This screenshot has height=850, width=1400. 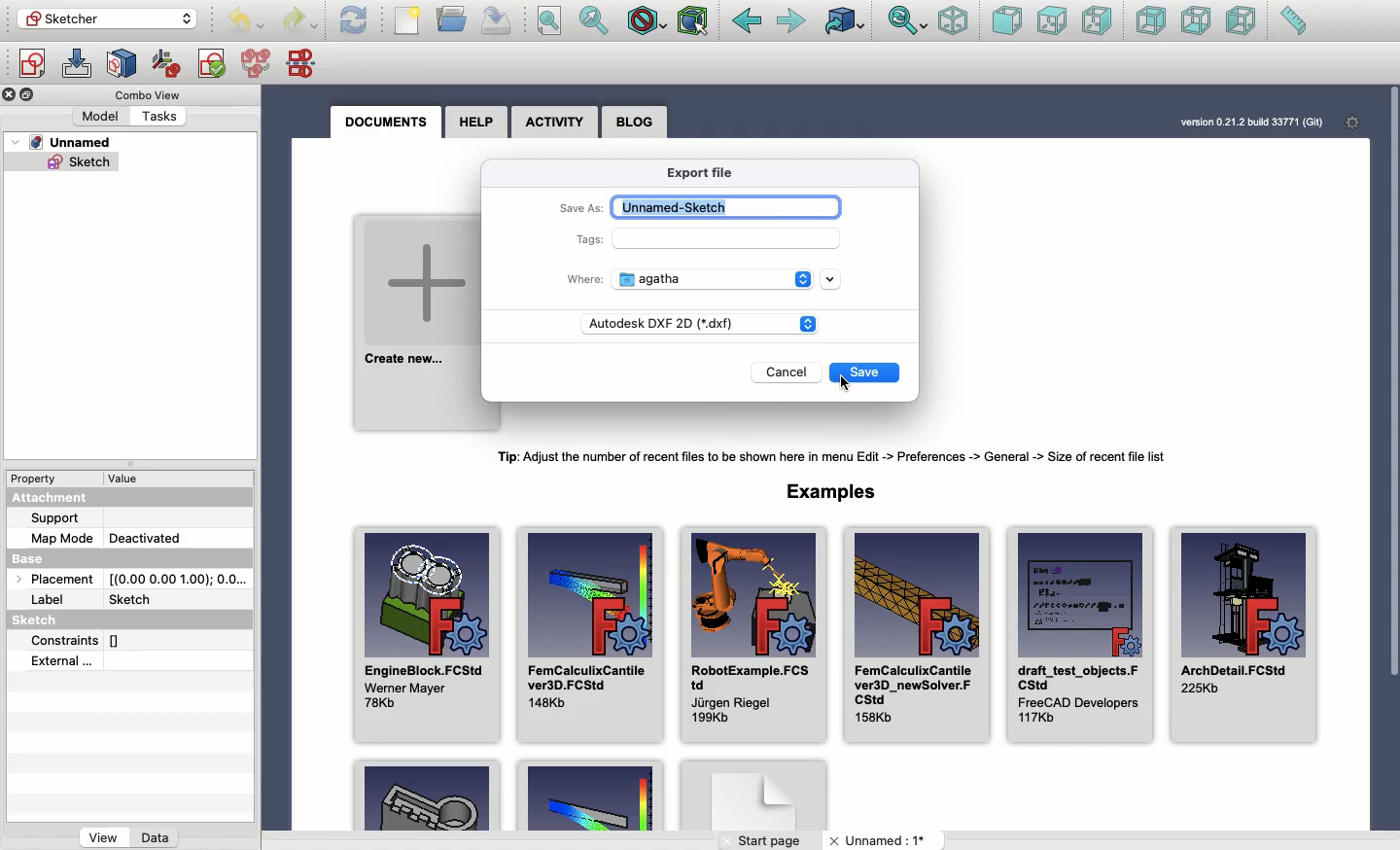 What do you see at coordinates (431, 797) in the screenshot?
I see `Example 1` at bounding box center [431, 797].